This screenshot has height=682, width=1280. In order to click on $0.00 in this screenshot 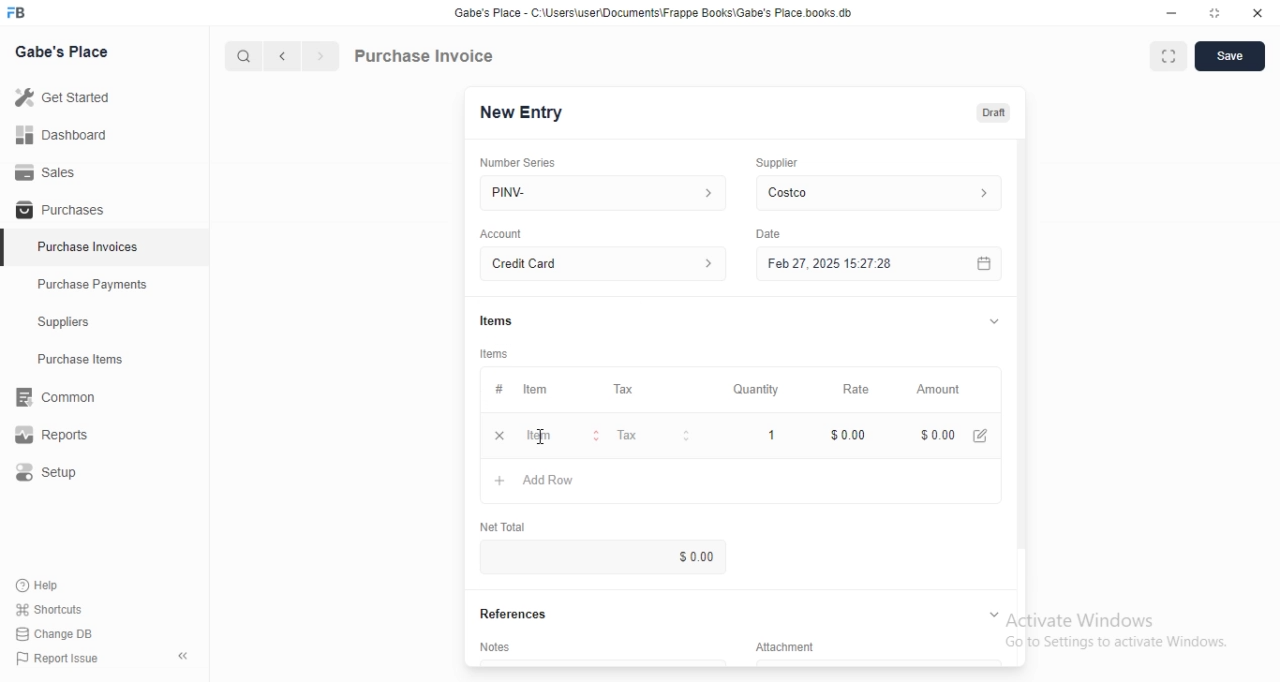, I will do `click(841, 435)`.